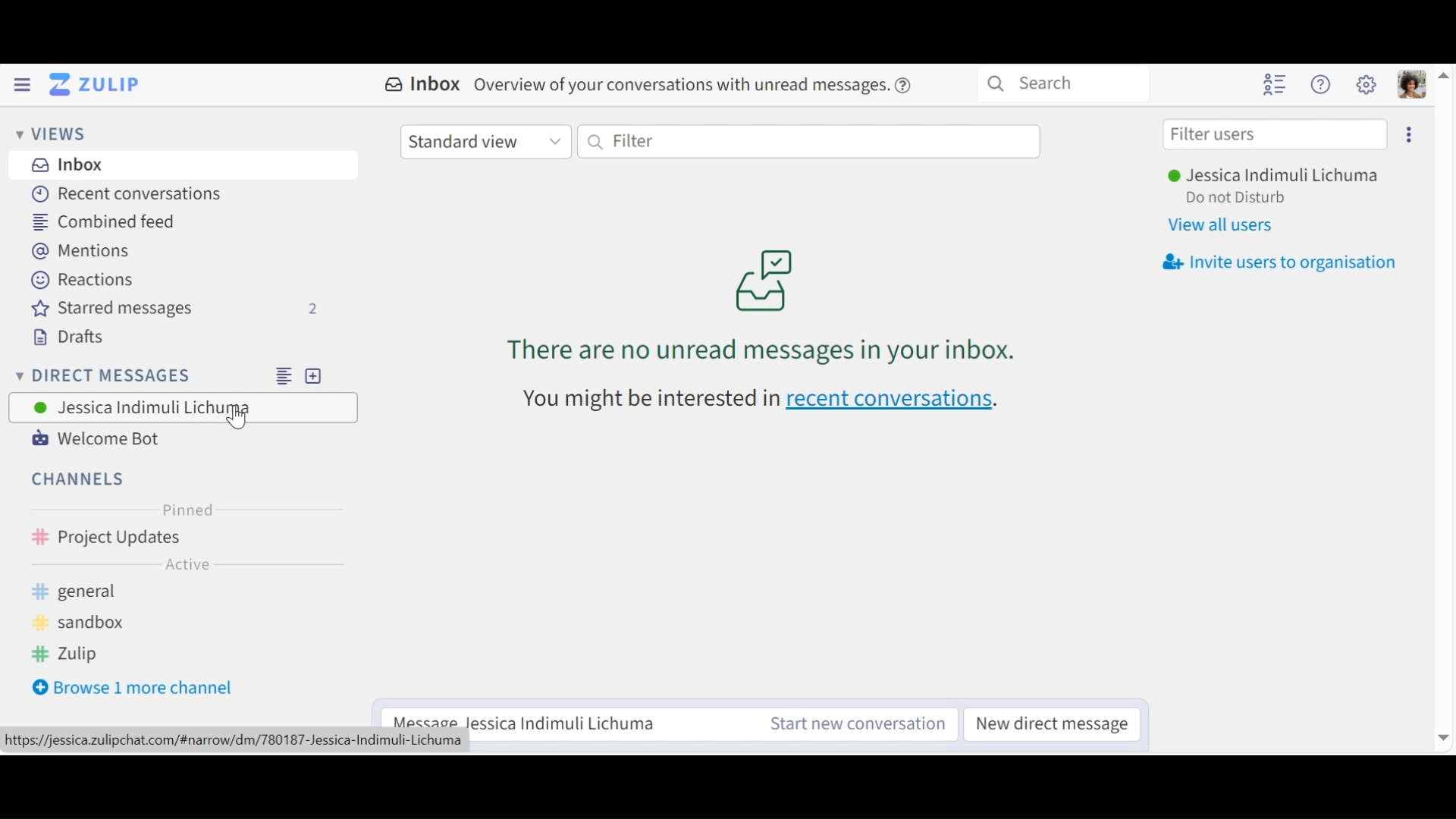  Describe the element at coordinates (184, 539) in the screenshot. I see `Channel` at that location.